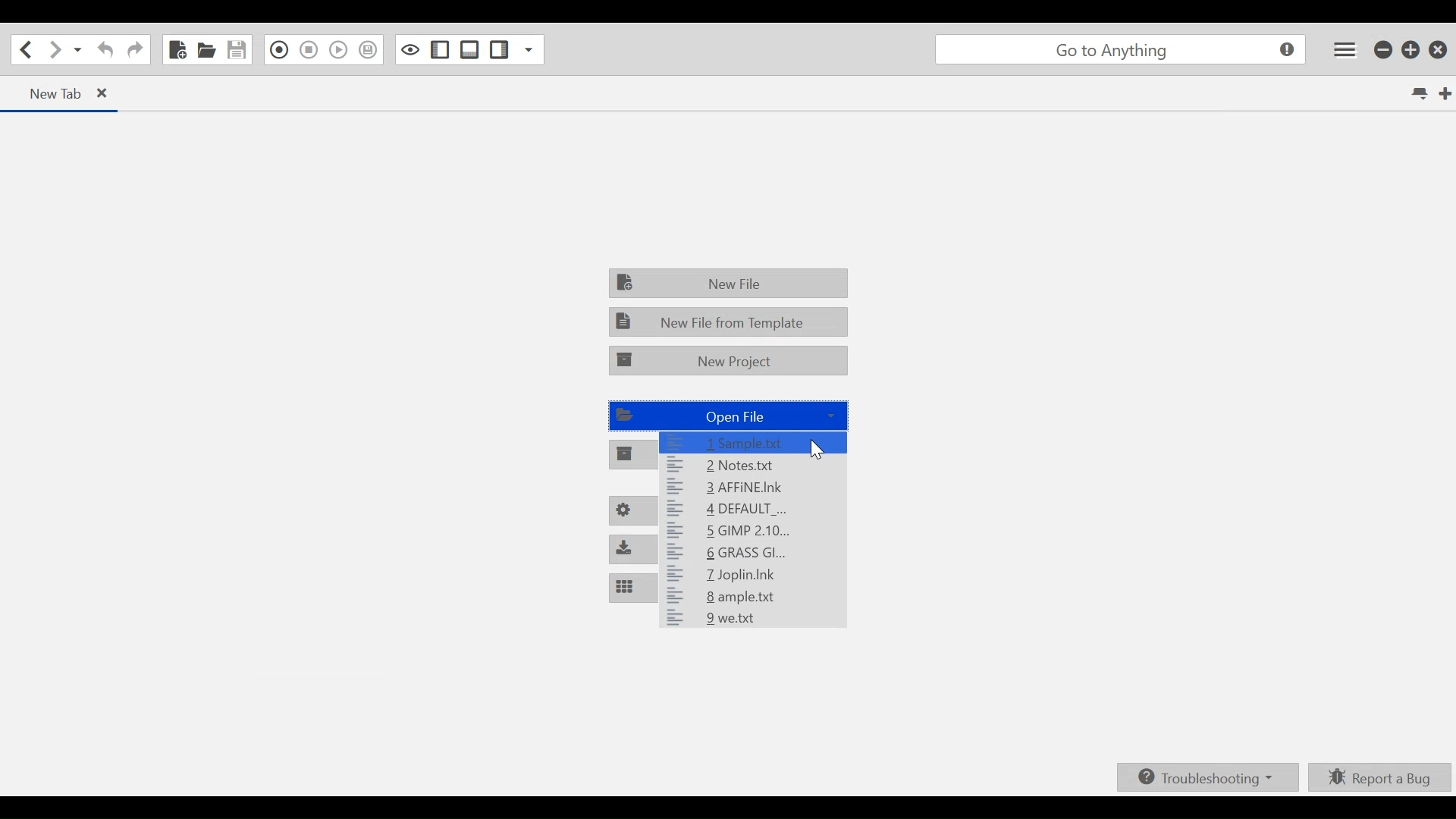 The width and height of the screenshot is (1456, 819). Describe the element at coordinates (469, 49) in the screenshot. I see `Show/Hide bottom Pane` at that location.